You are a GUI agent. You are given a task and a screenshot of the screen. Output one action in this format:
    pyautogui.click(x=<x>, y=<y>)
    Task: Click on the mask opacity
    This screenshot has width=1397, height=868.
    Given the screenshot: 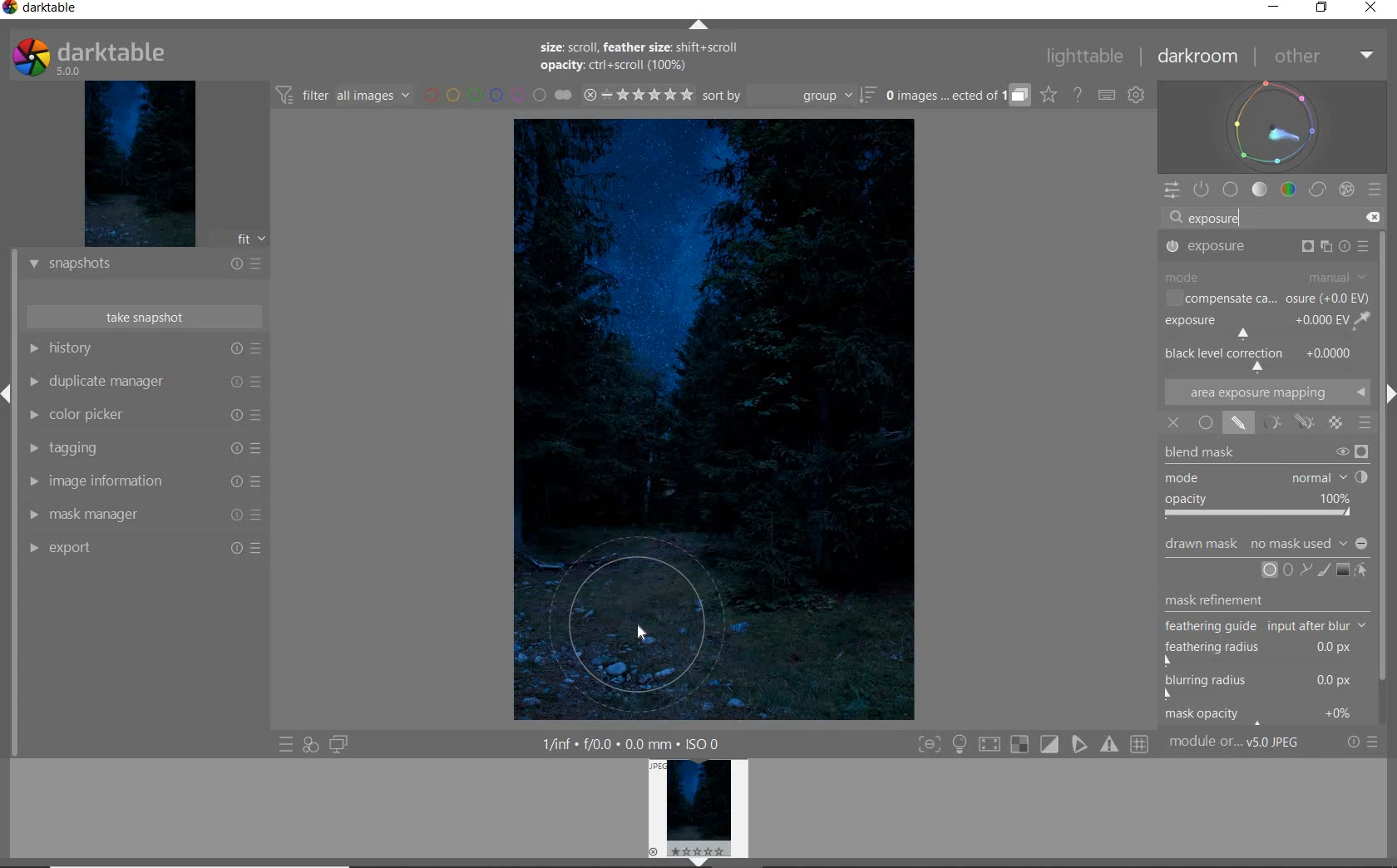 What is the action you would take?
    pyautogui.click(x=1264, y=717)
    